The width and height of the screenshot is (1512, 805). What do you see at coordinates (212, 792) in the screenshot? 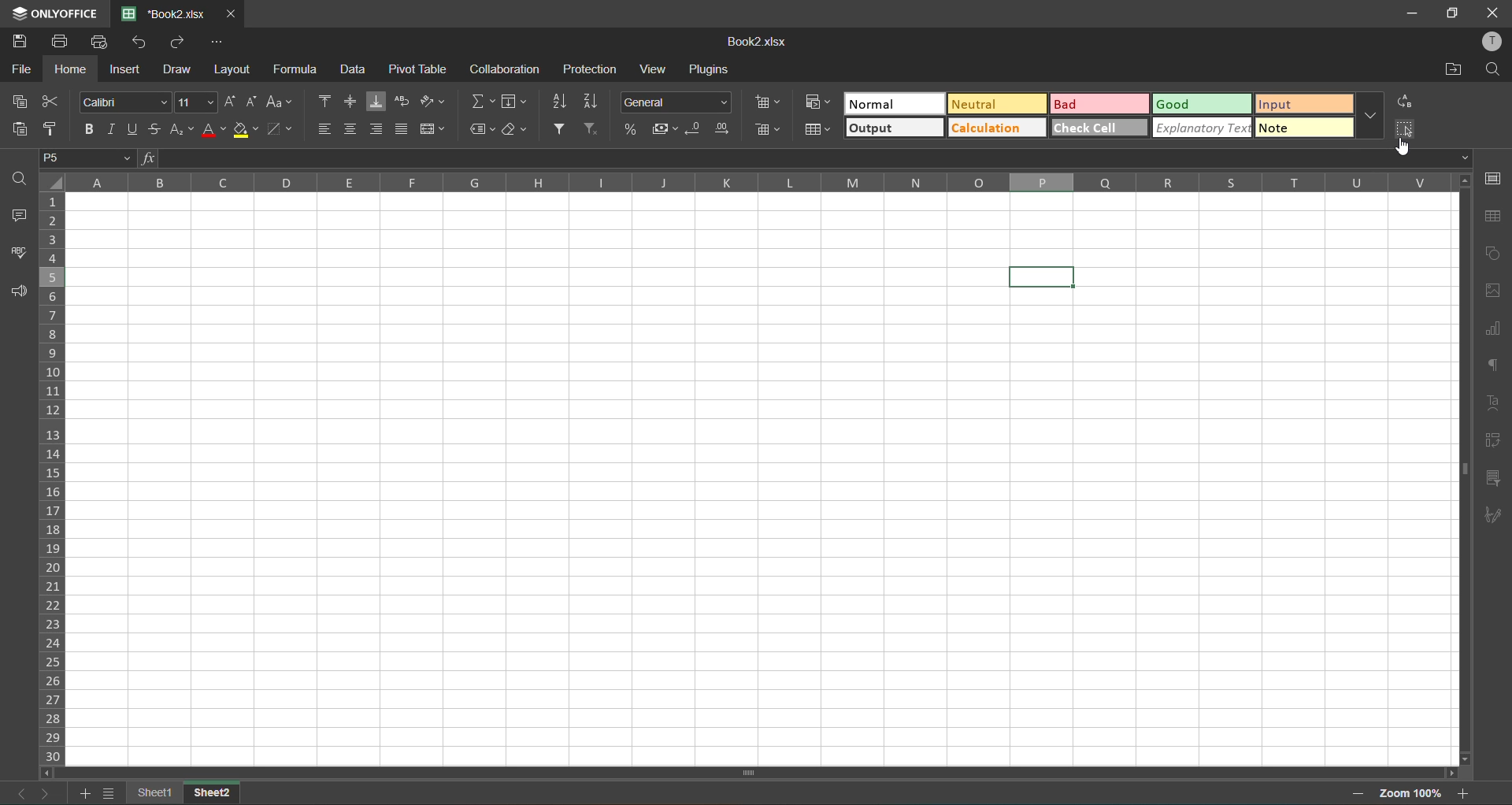
I see `sheet2` at bounding box center [212, 792].